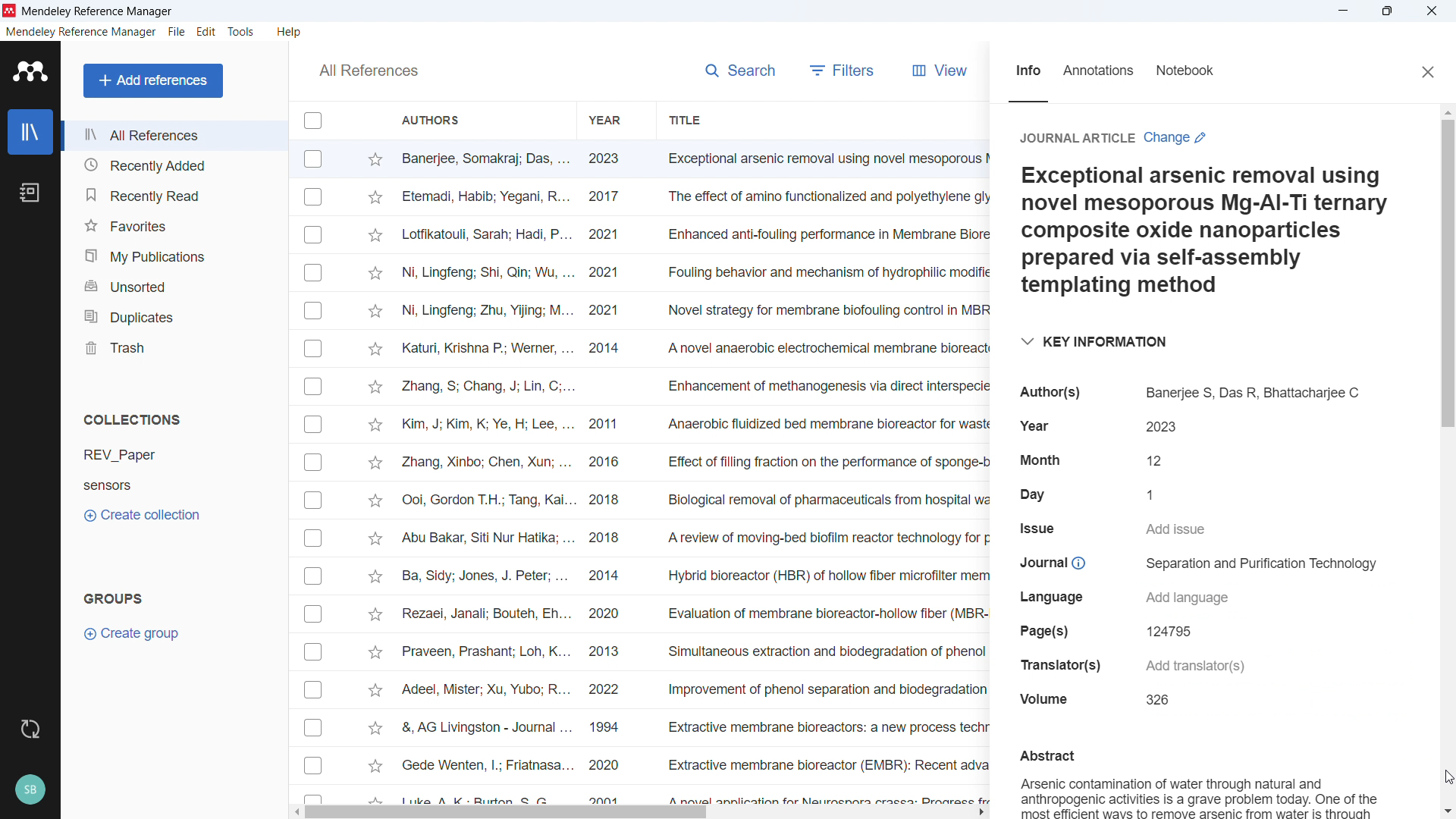 Image resolution: width=1456 pixels, height=819 pixels. What do you see at coordinates (1194, 667) in the screenshot?
I see `add translator(s)` at bounding box center [1194, 667].